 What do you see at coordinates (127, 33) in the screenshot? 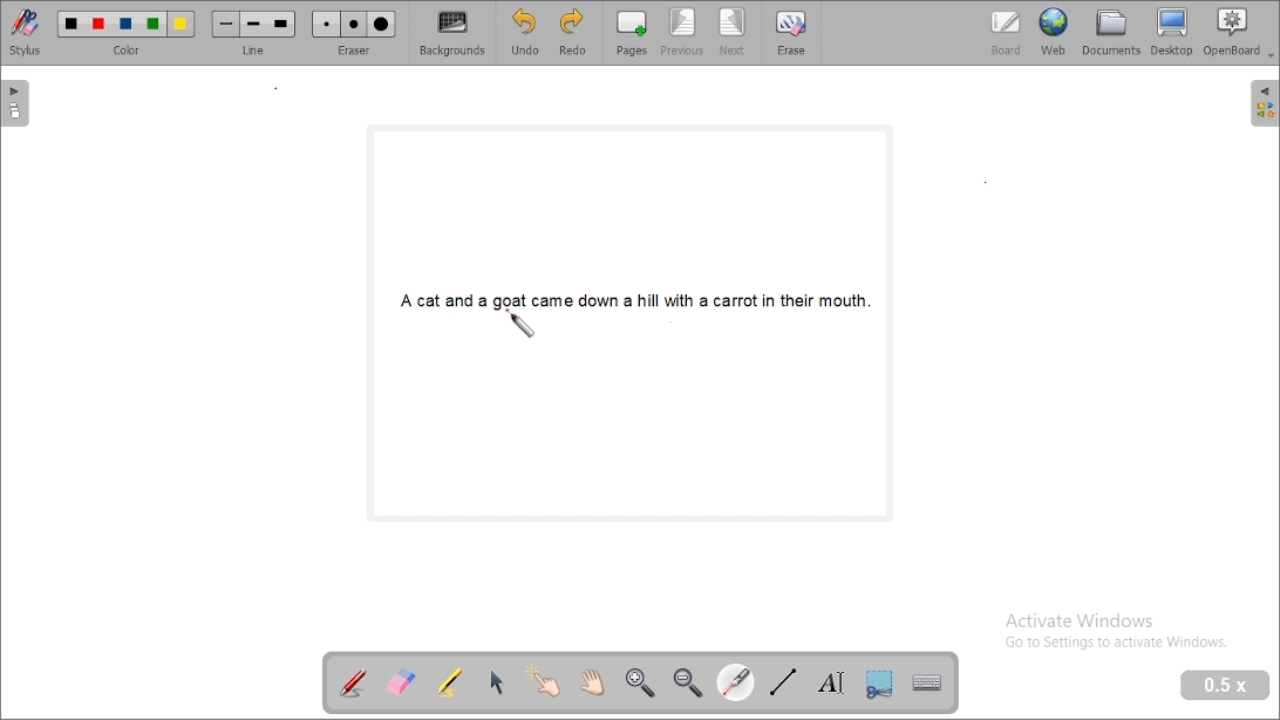
I see `color` at bounding box center [127, 33].